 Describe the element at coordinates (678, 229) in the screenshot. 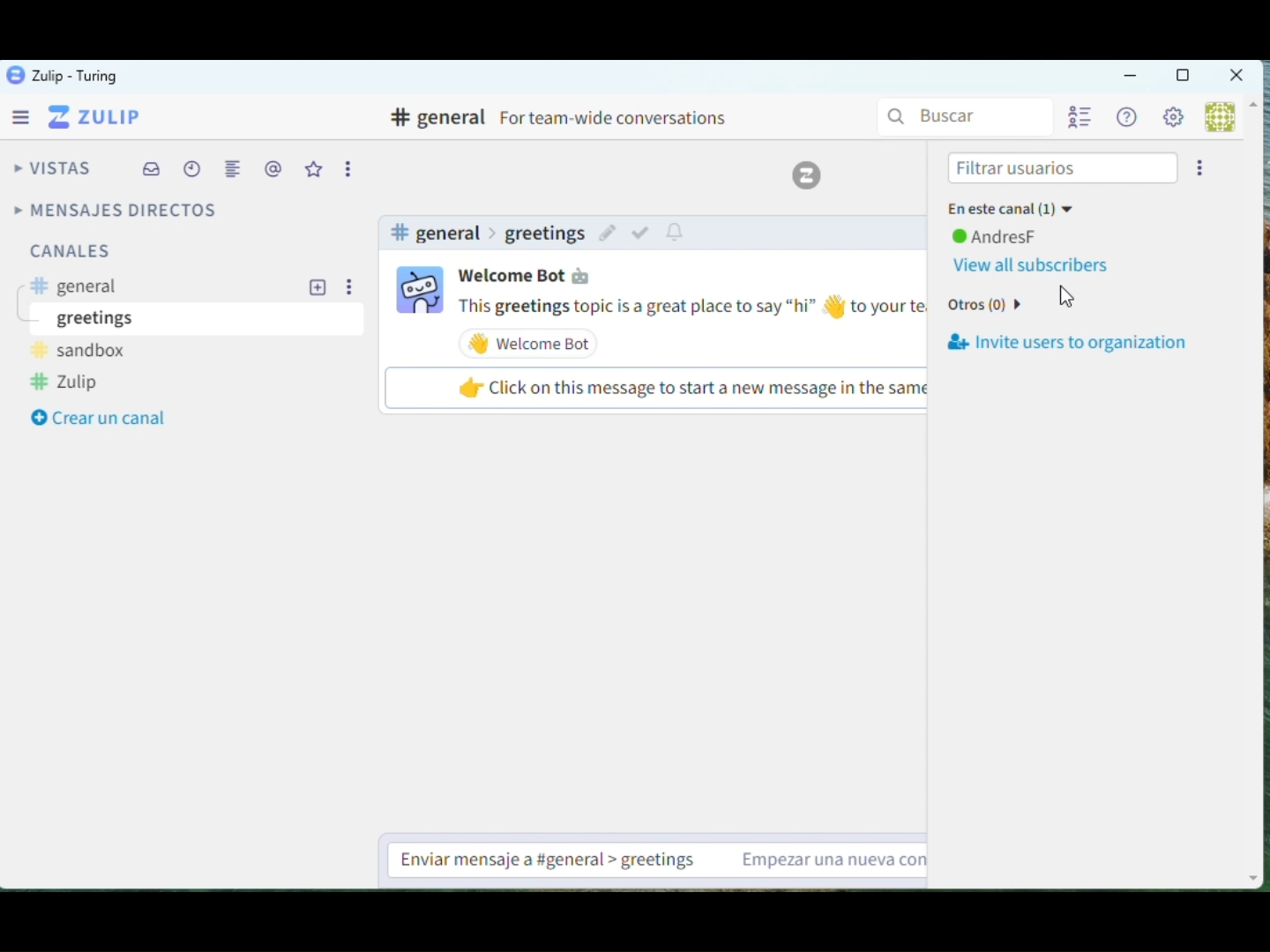

I see `notify` at that location.